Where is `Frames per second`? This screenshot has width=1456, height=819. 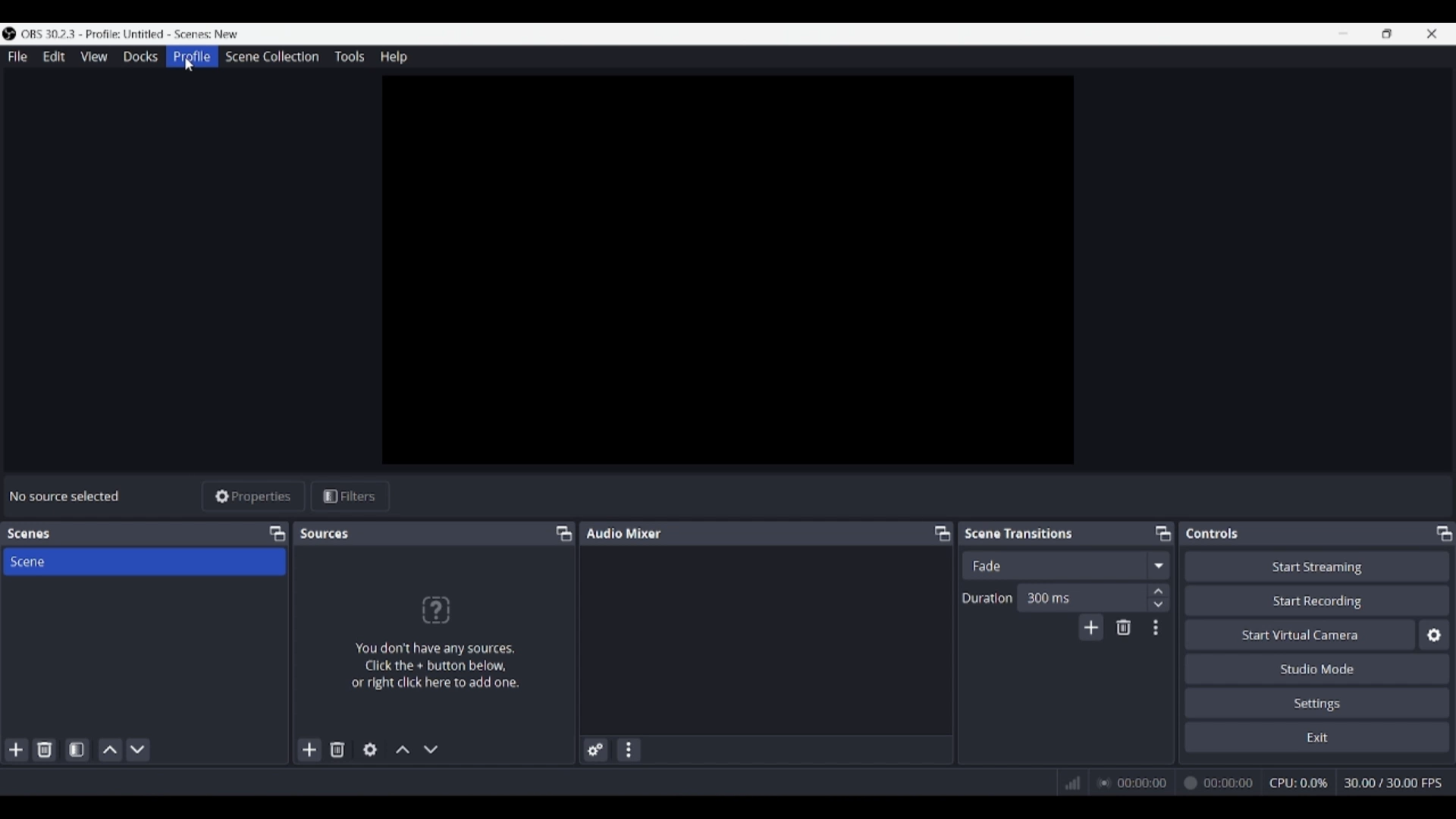 Frames per second is located at coordinates (1393, 783).